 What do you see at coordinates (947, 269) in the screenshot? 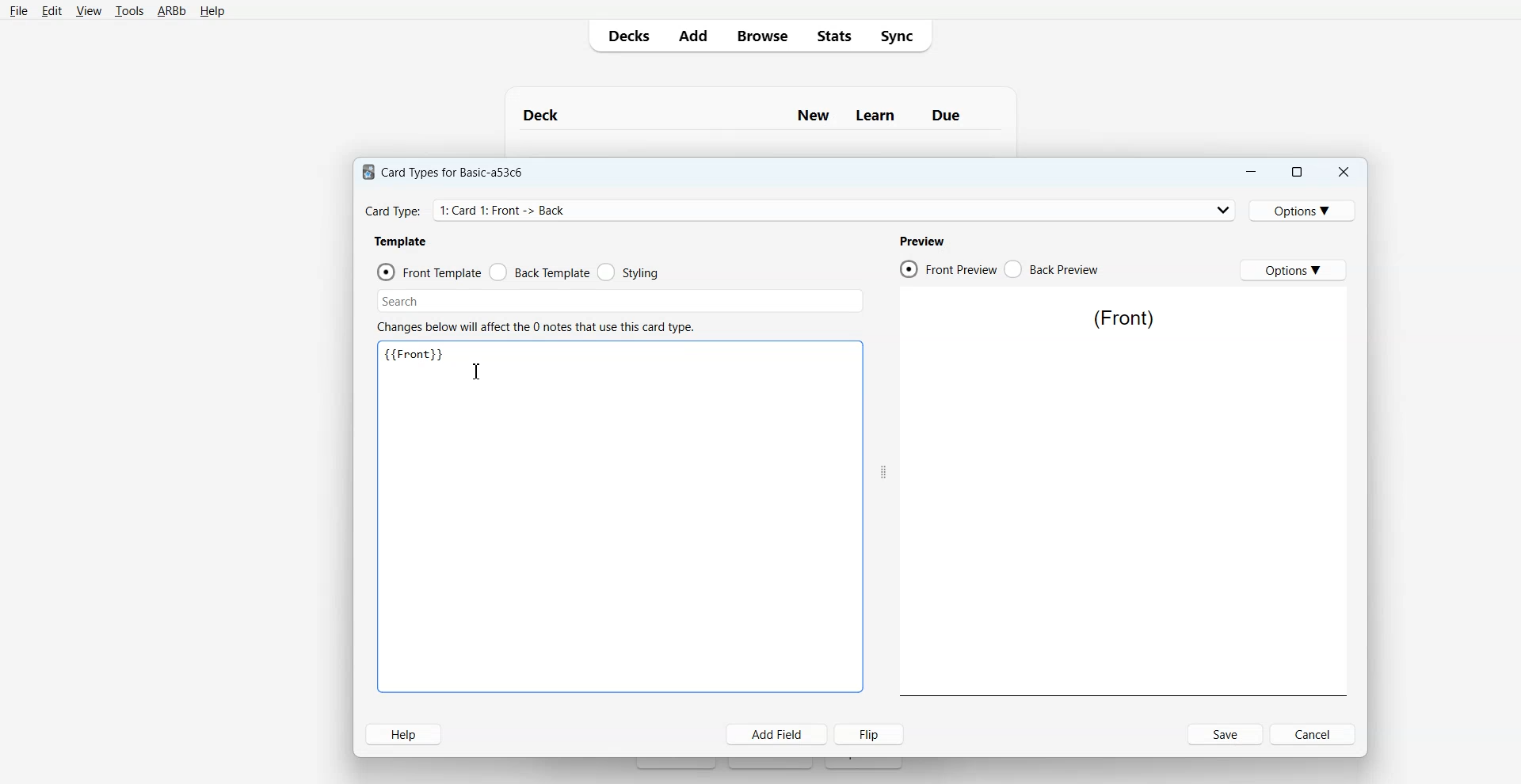
I see `Front Preview` at bounding box center [947, 269].